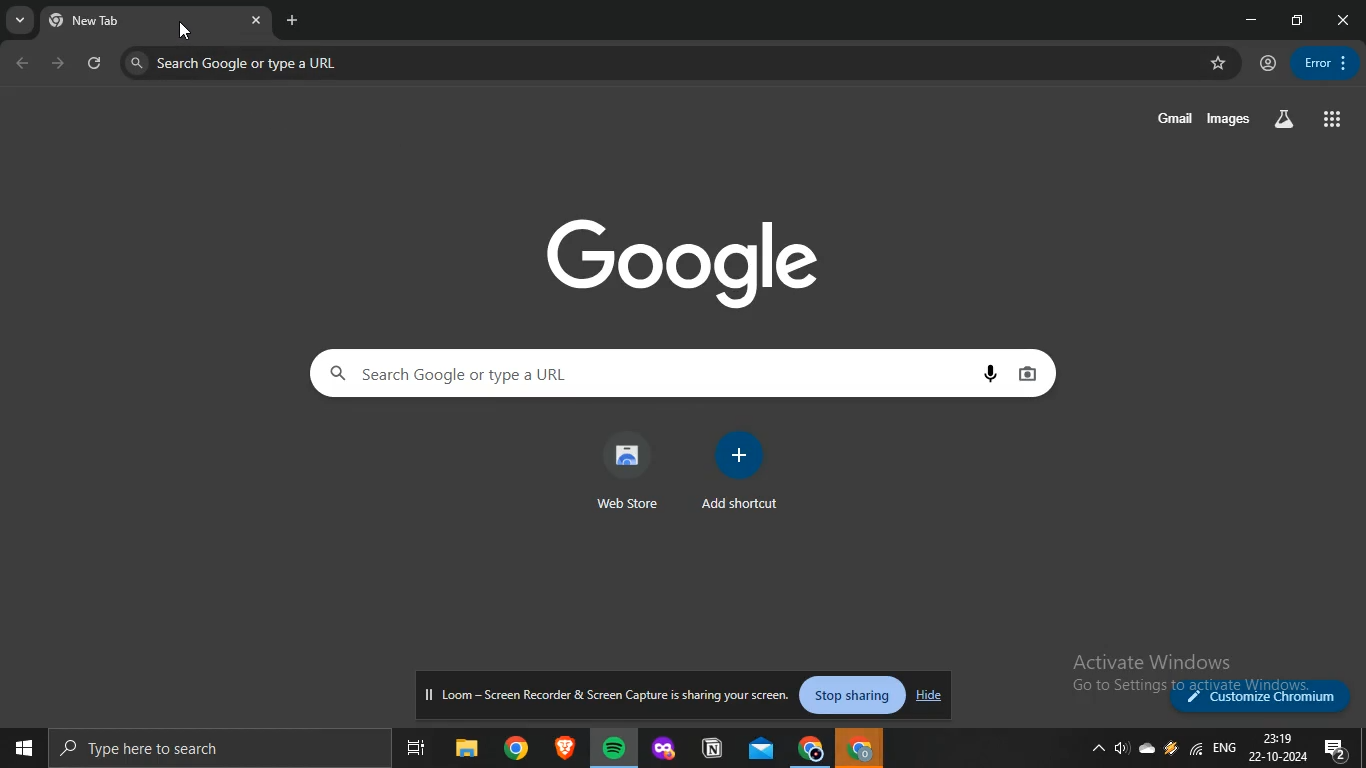  What do you see at coordinates (59, 63) in the screenshot?
I see `go to next page` at bounding box center [59, 63].